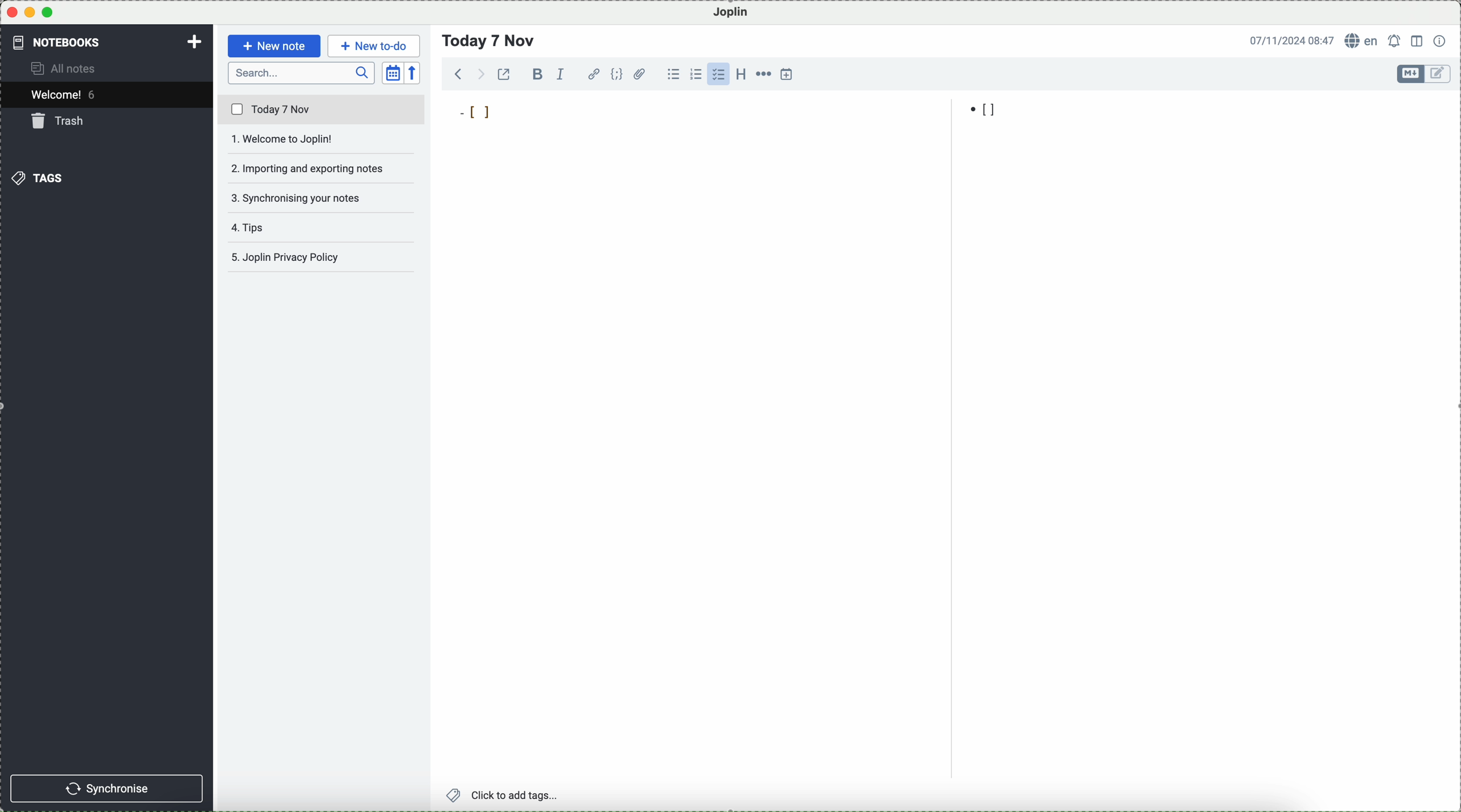 The width and height of the screenshot is (1461, 812). What do you see at coordinates (1441, 41) in the screenshot?
I see `note properties` at bounding box center [1441, 41].